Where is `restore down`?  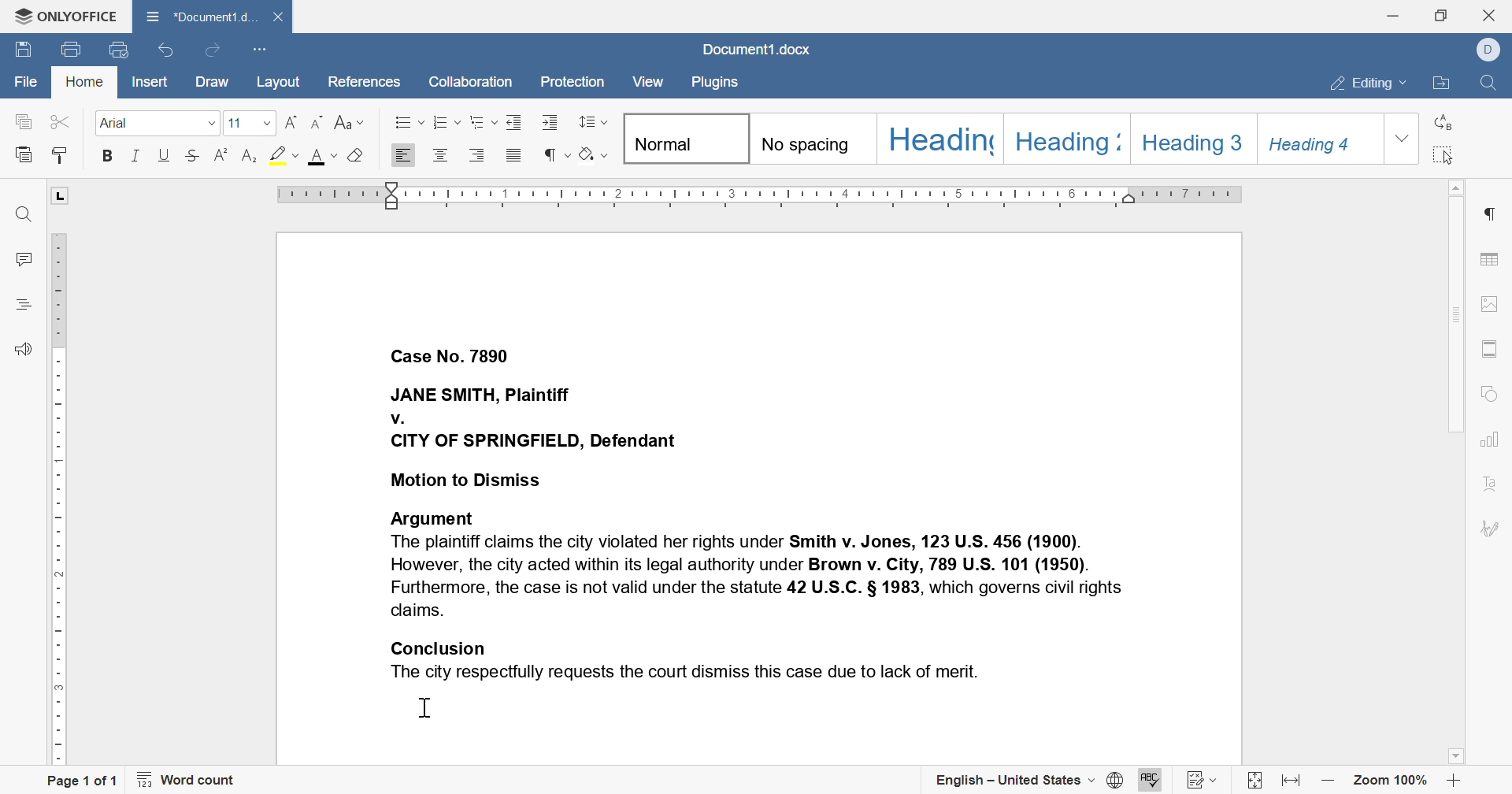
restore down is located at coordinates (1442, 17).